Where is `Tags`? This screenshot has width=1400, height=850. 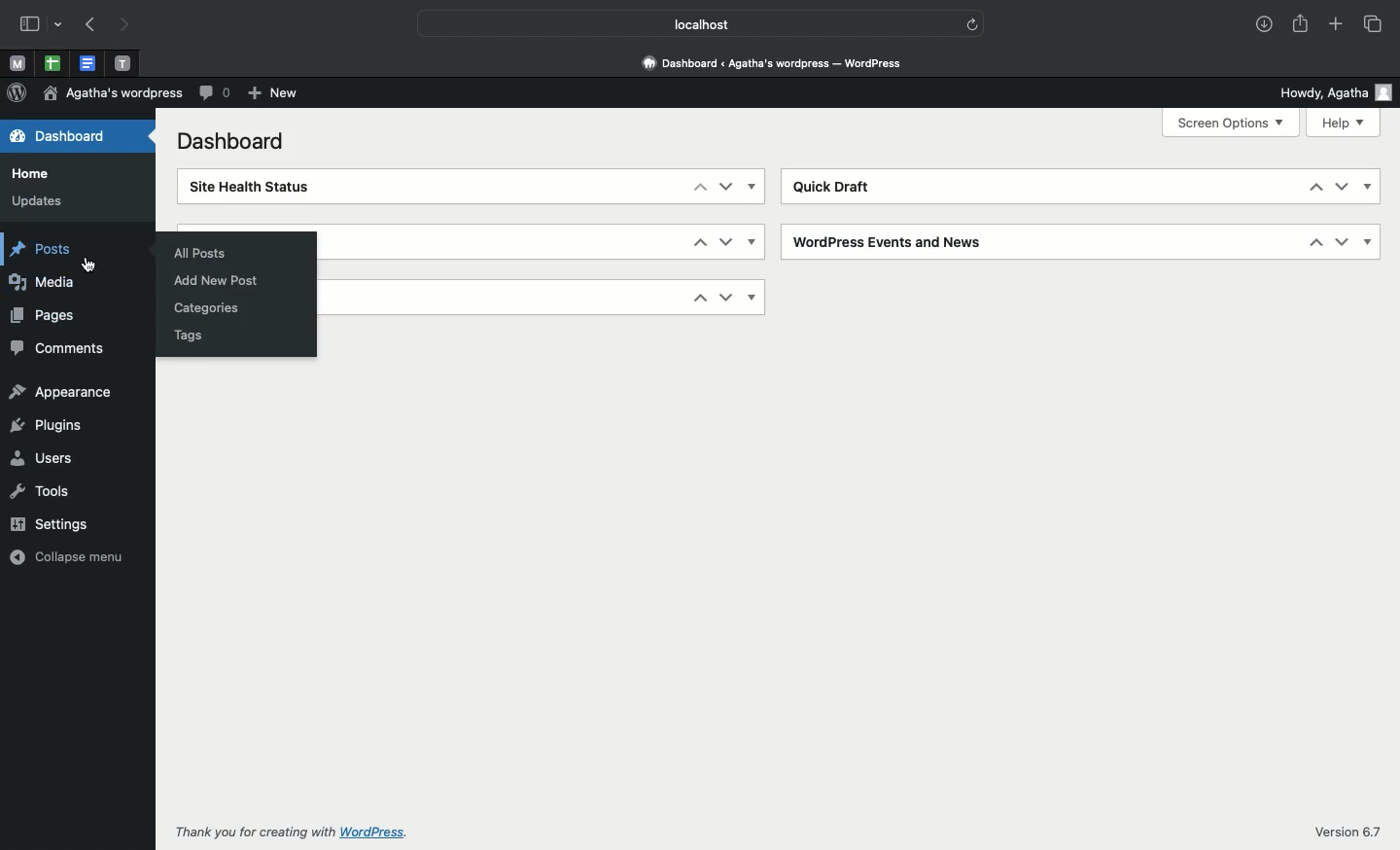 Tags is located at coordinates (189, 334).